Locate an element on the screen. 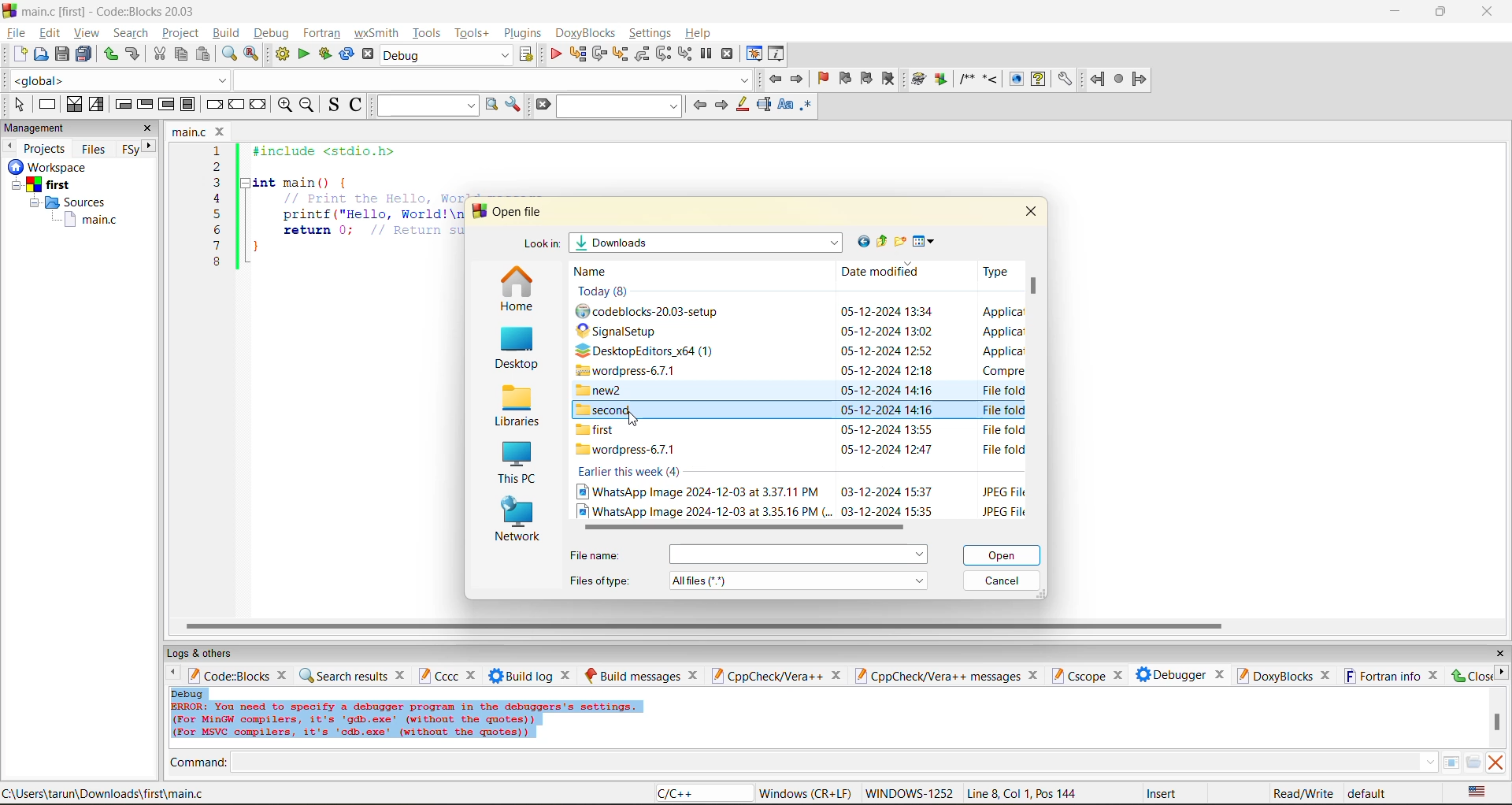  build and run is located at coordinates (325, 54).